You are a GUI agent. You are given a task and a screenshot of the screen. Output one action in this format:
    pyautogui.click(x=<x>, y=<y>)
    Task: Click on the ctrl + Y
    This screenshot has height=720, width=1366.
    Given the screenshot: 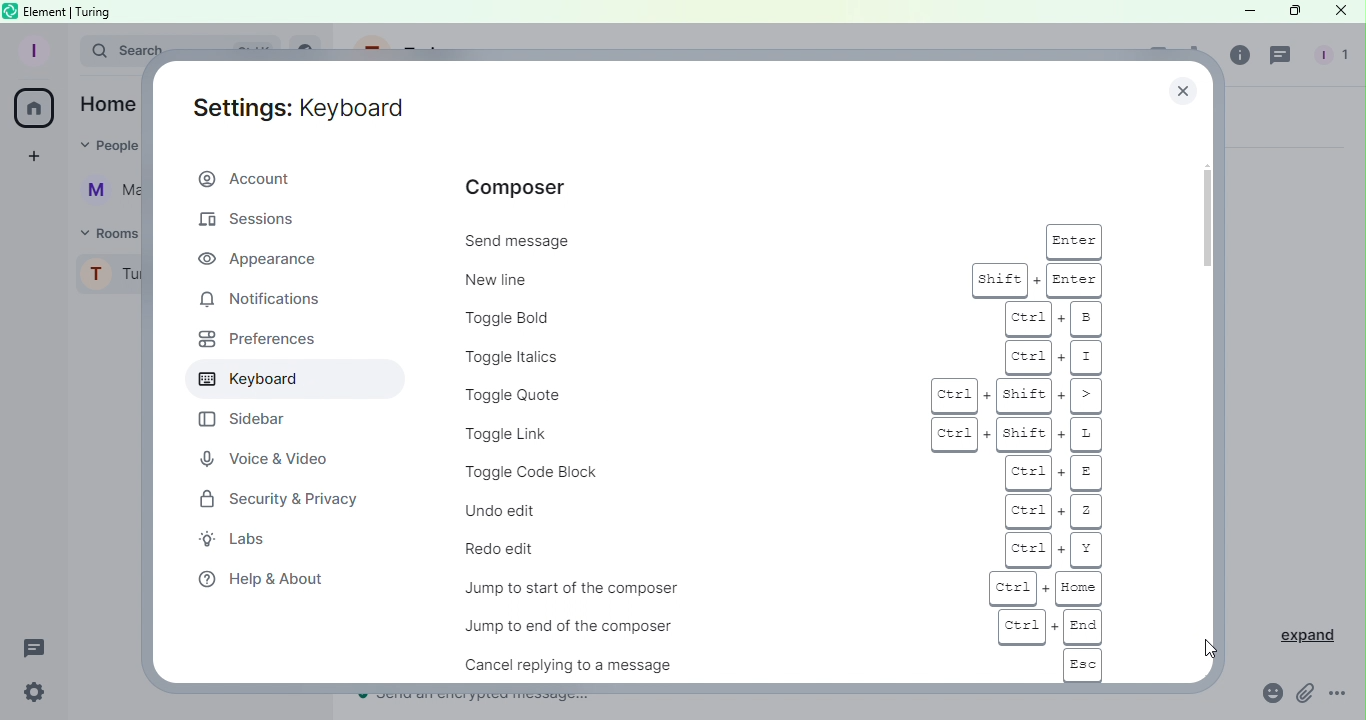 What is the action you would take?
    pyautogui.click(x=1056, y=549)
    